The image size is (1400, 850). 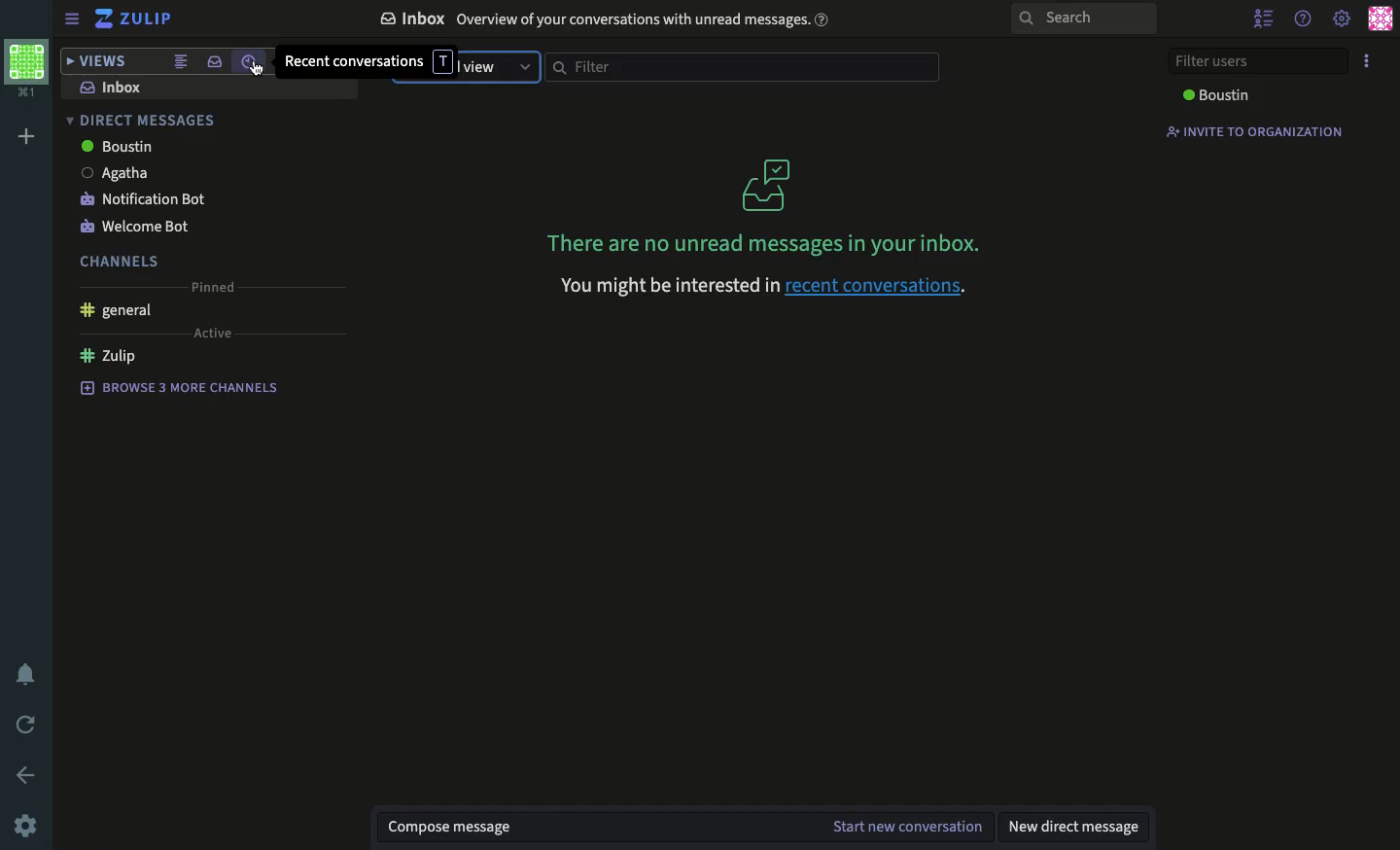 I want to click on Zulip, so click(x=107, y=357).